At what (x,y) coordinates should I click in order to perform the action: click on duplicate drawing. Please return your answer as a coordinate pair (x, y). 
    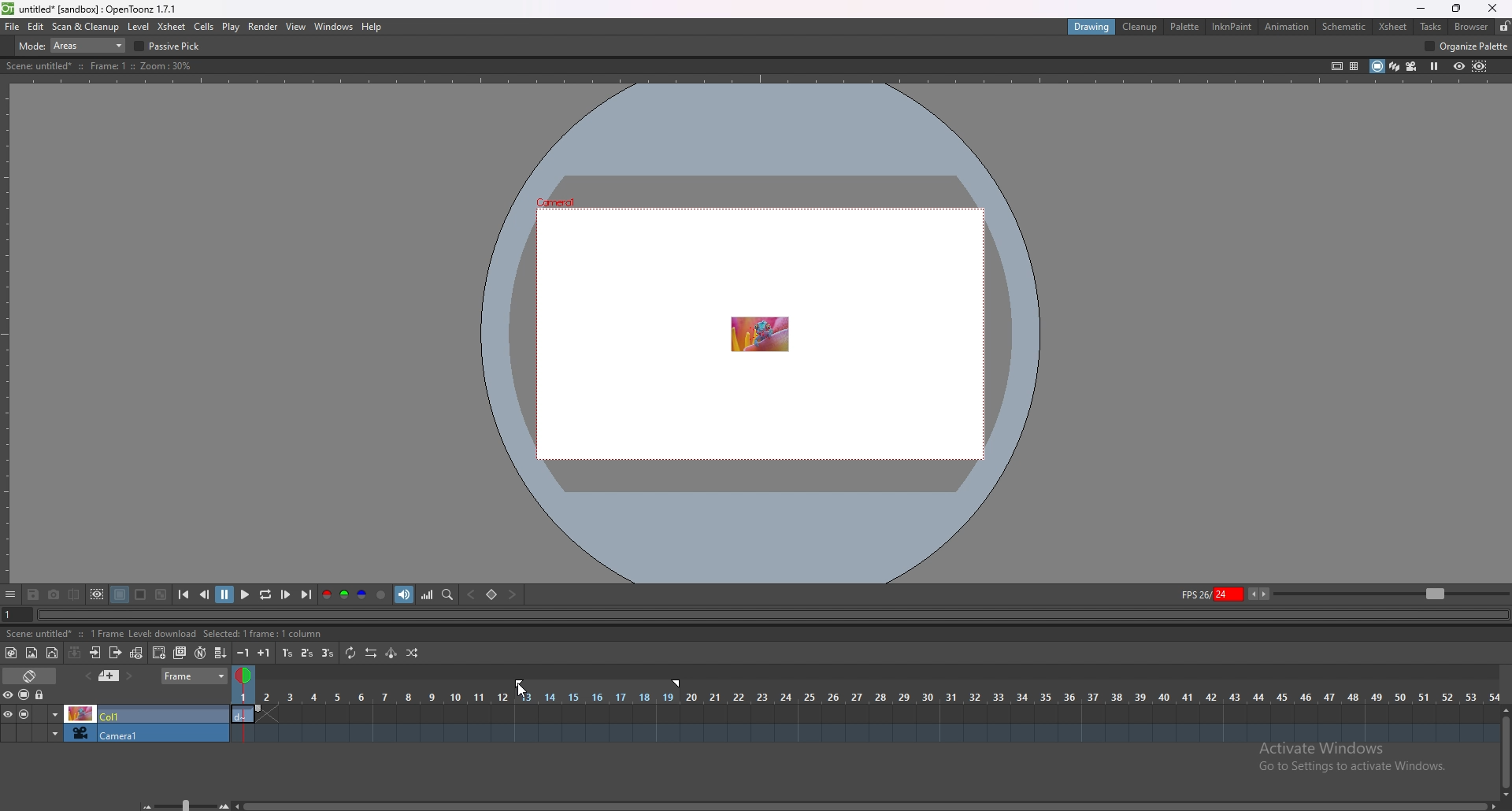
    Looking at the image, I should click on (180, 653).